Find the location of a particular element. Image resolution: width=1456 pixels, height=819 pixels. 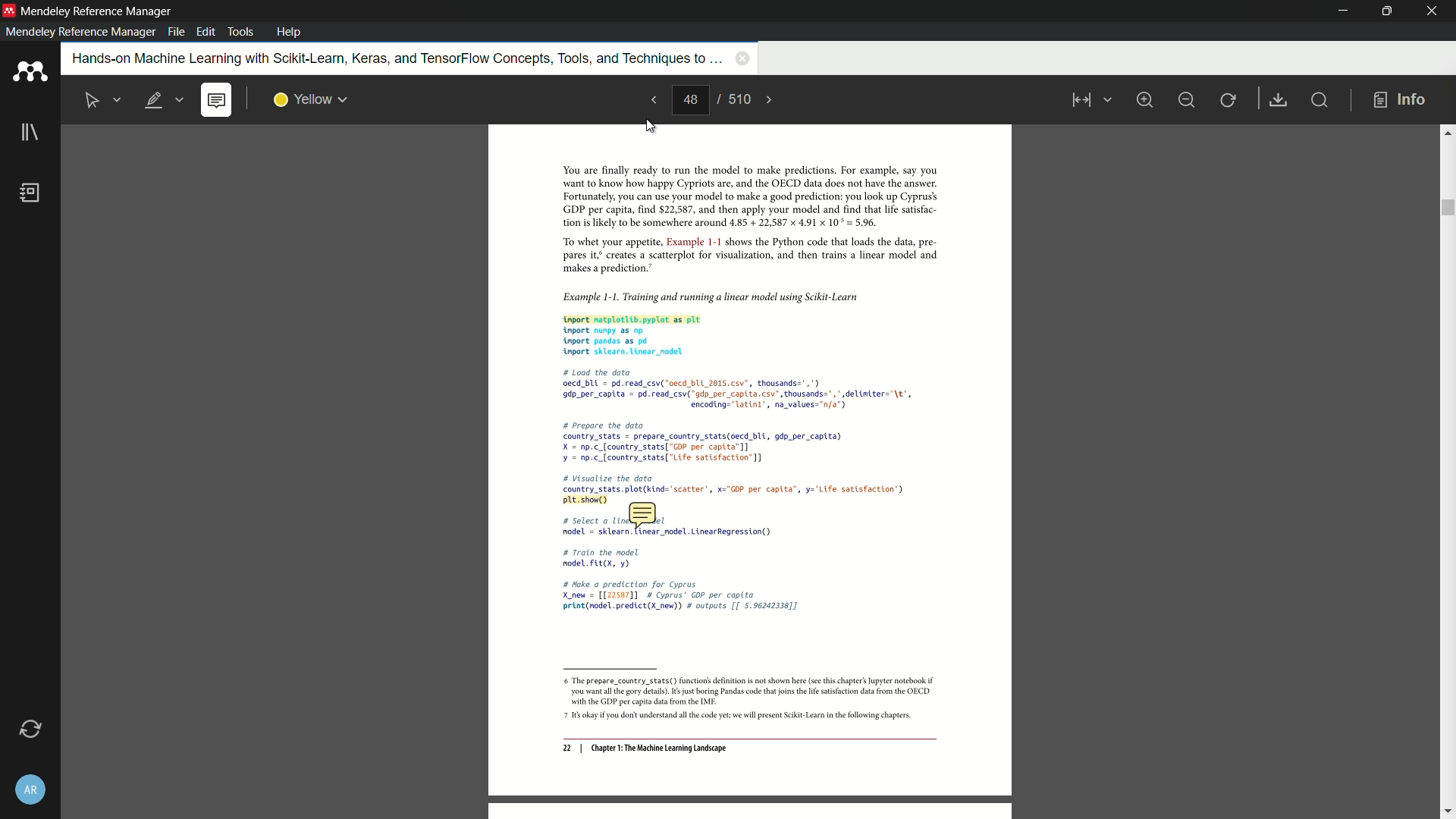

22 | Chapter 1: The Machine Learning Landscape is located at coordinates (645, 749).